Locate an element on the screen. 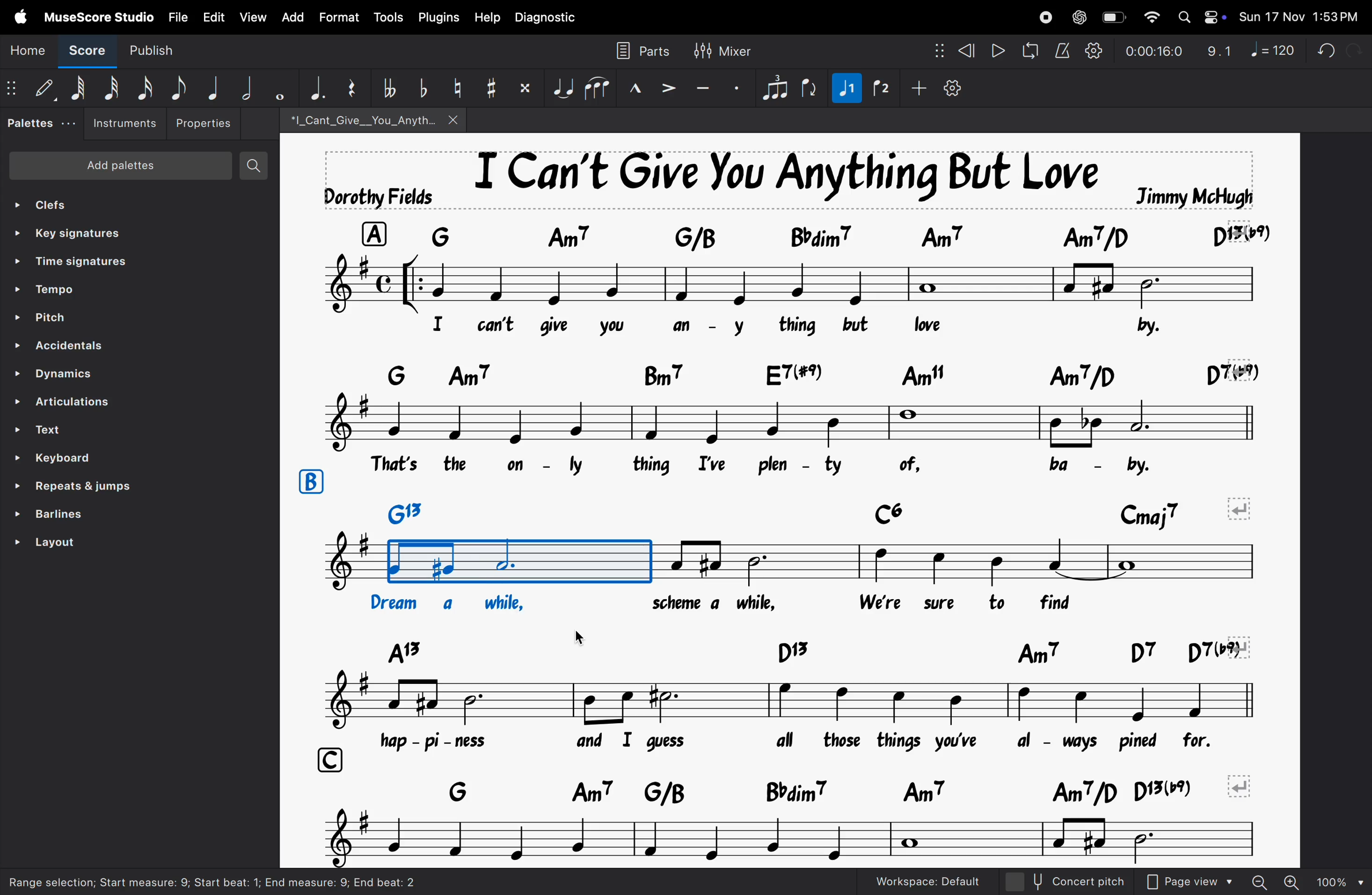 The width and height of the screenshot is (1372, 895). chatgpt is located at coordinates (1080, 17).